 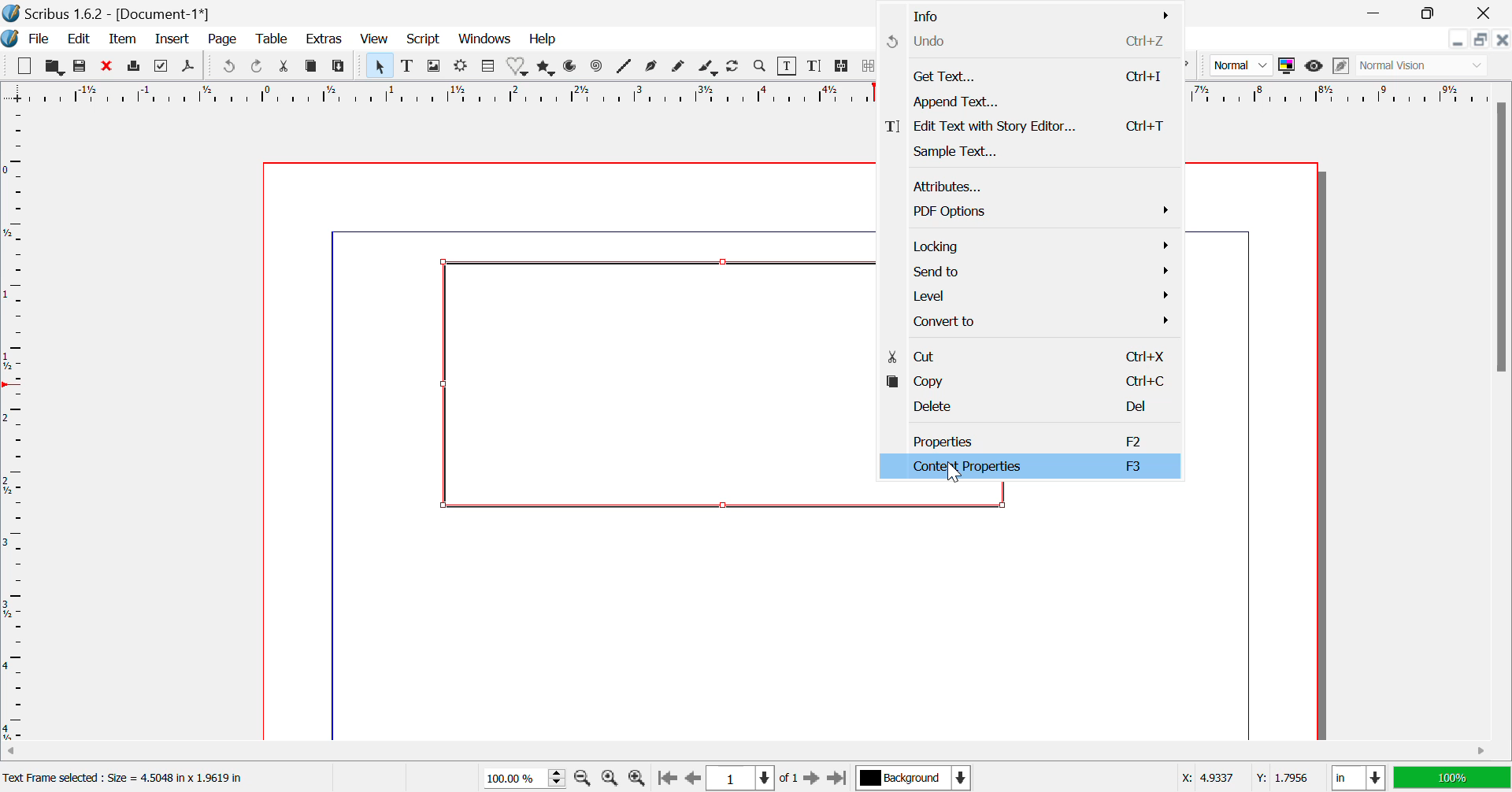 I want to click on textbox, so click(x=659, y=382).